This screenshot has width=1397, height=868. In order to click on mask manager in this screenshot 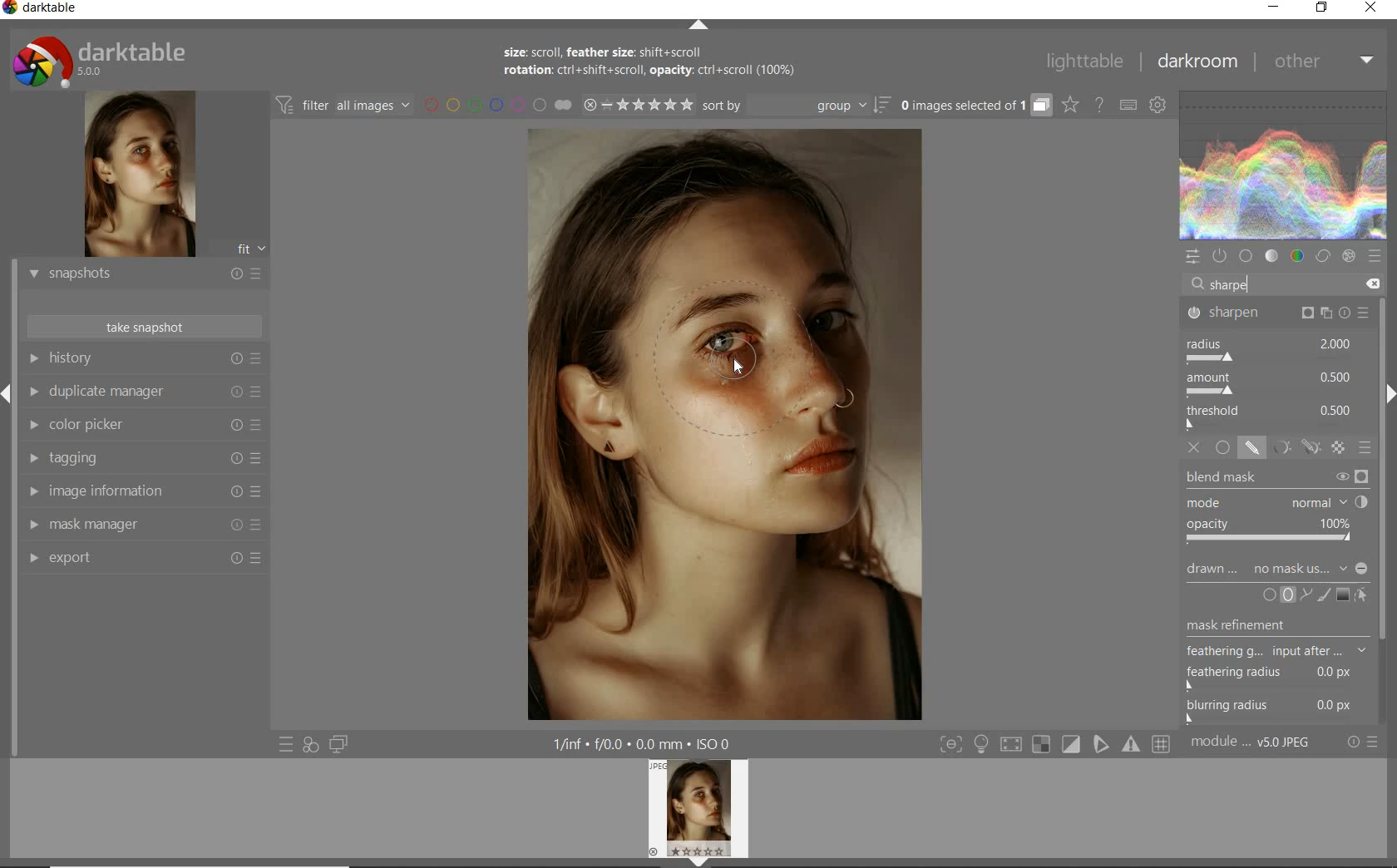, I will do `click(144, 525)`.